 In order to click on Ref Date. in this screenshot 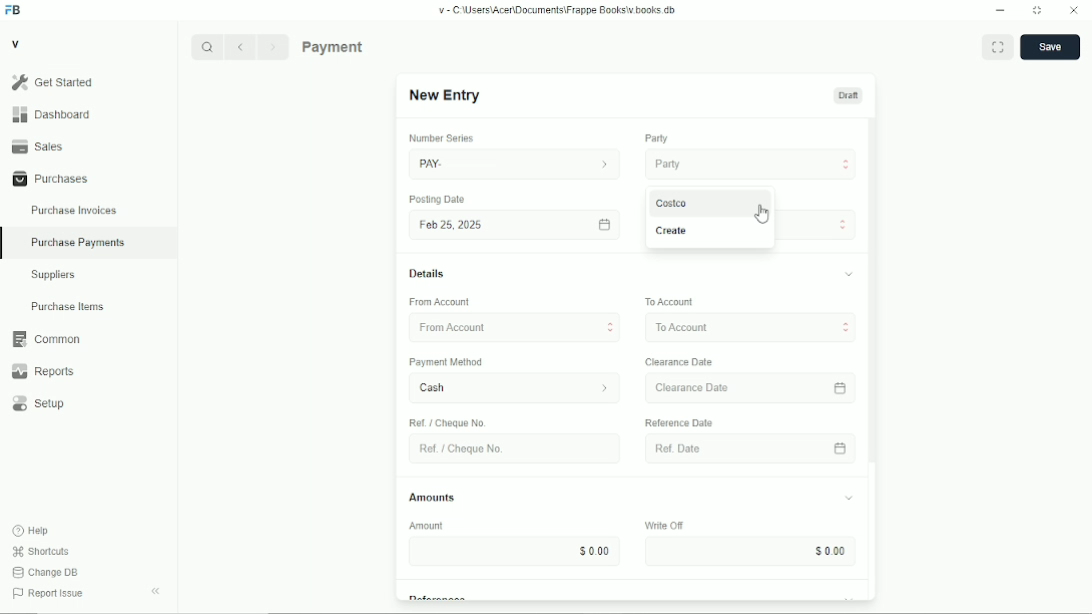, I will do `click(738, 447)`.